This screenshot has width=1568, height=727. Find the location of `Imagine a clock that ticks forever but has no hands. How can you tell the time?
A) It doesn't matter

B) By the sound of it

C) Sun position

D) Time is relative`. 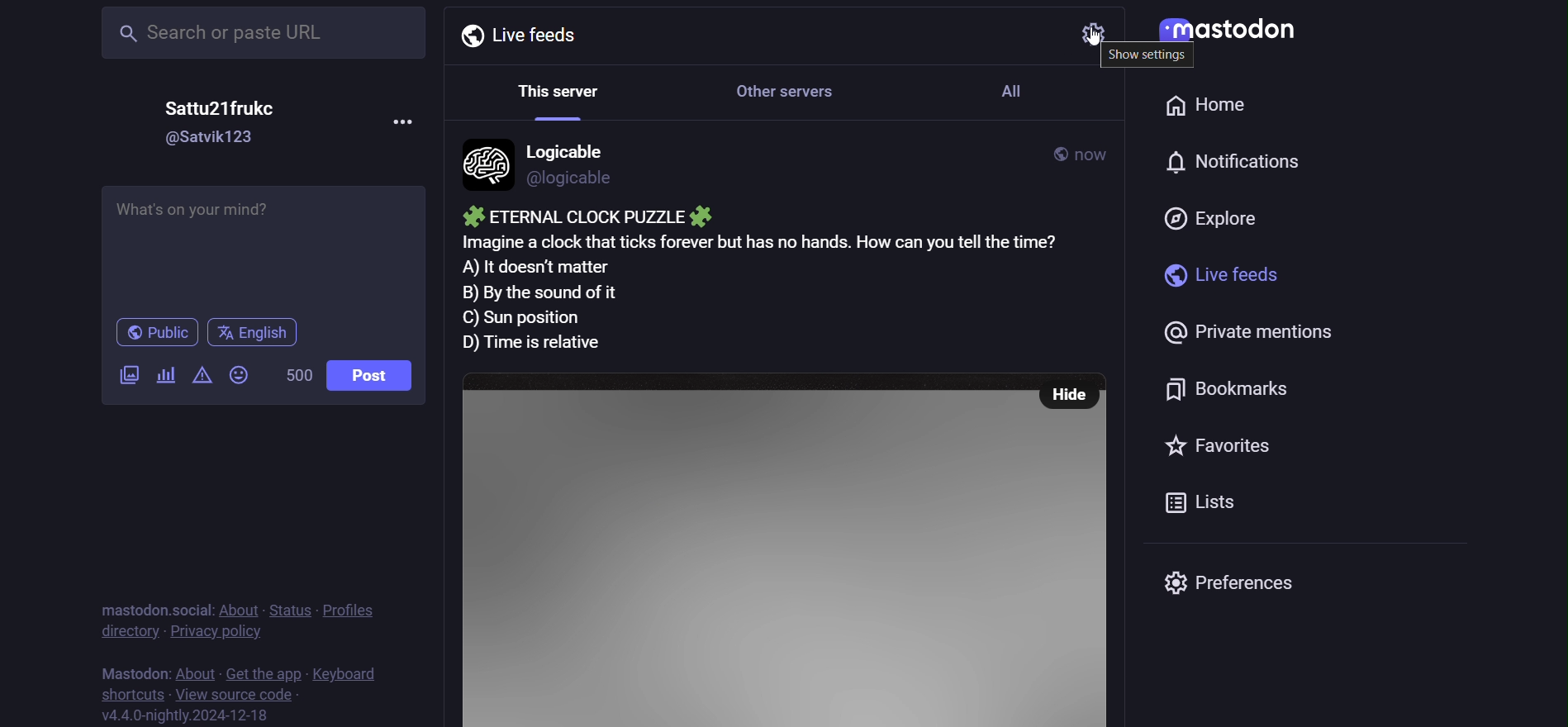

Imagine a clock that ticks forever but has no hands. How can you tell the time?
A) It doesn't matter

B) By the sound of it

C) Sun position

D) Time is relative is located at coordinates (785, 293).